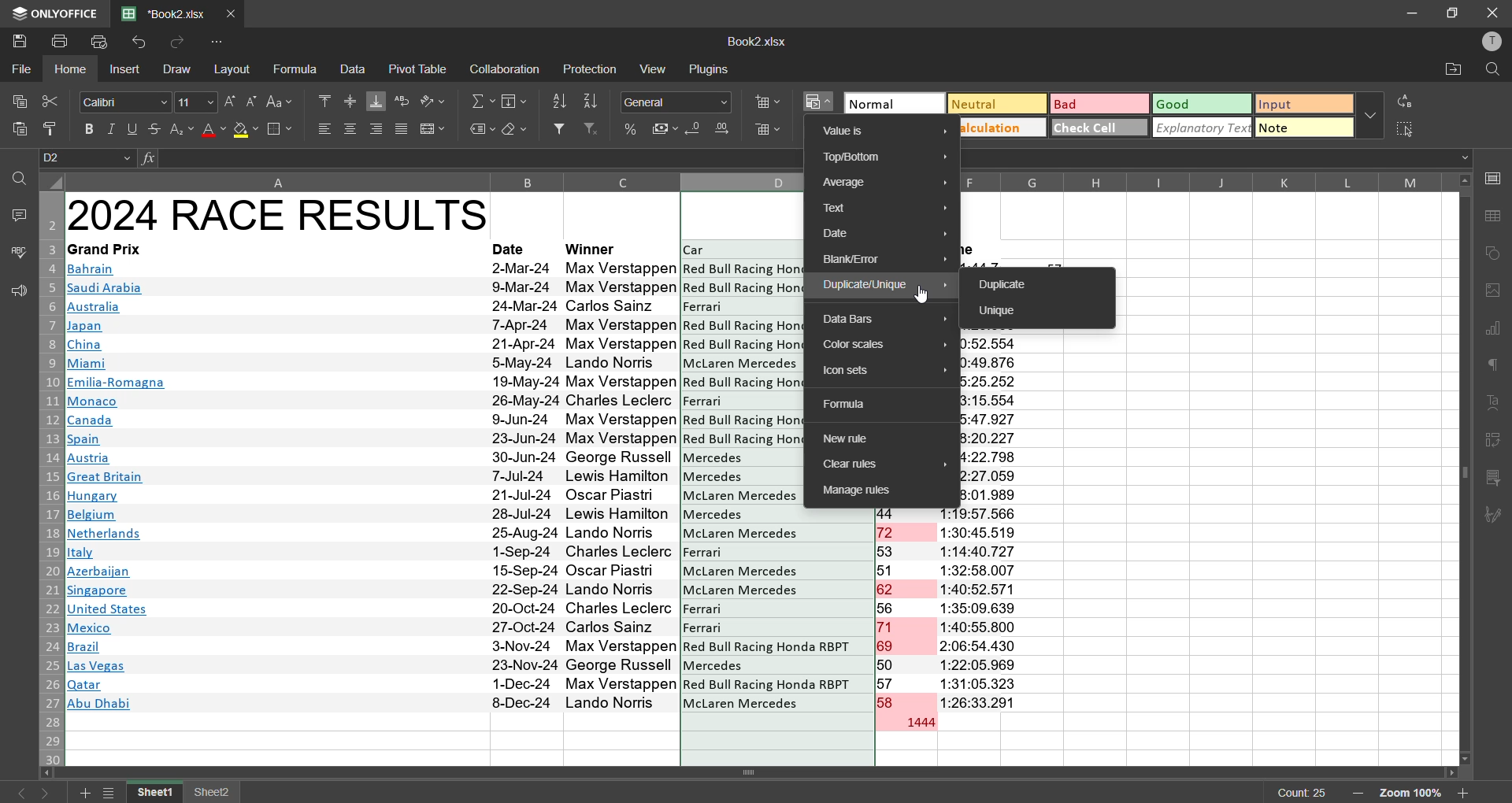  Describe the element at coordinates (887, 159) in the screenshot. I see `top/bottom` at that location.